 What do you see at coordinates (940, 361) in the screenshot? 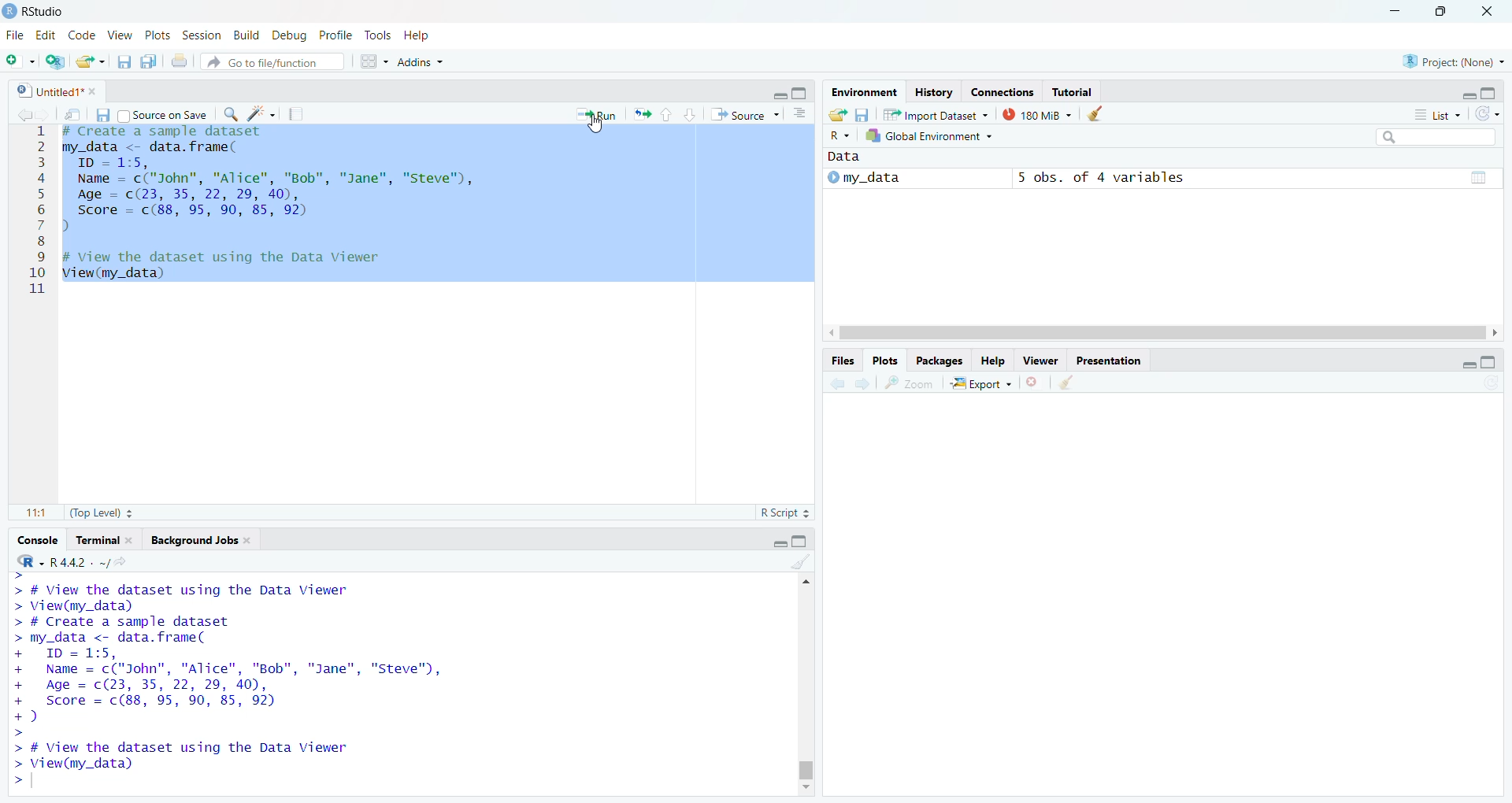
I see `Packages` at bounding box center [940, 361].